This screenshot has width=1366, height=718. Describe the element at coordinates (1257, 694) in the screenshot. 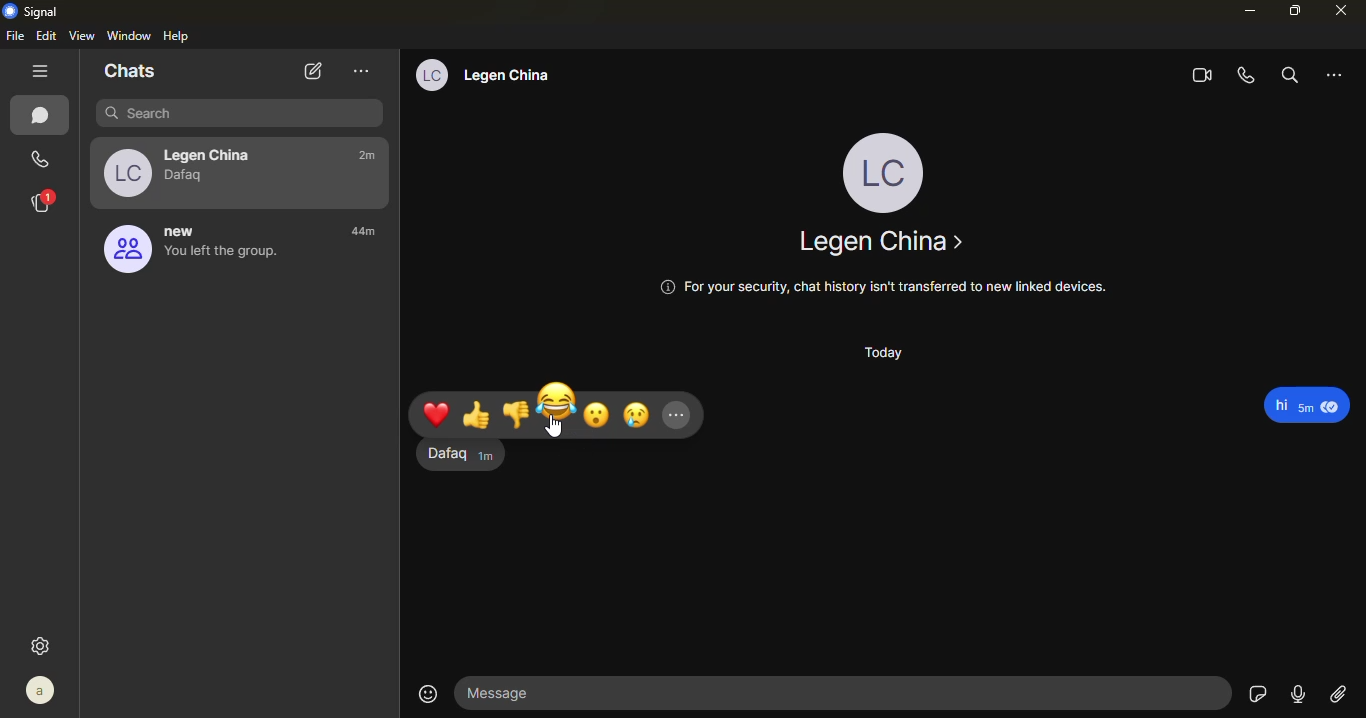

I see `sticker` at that location.